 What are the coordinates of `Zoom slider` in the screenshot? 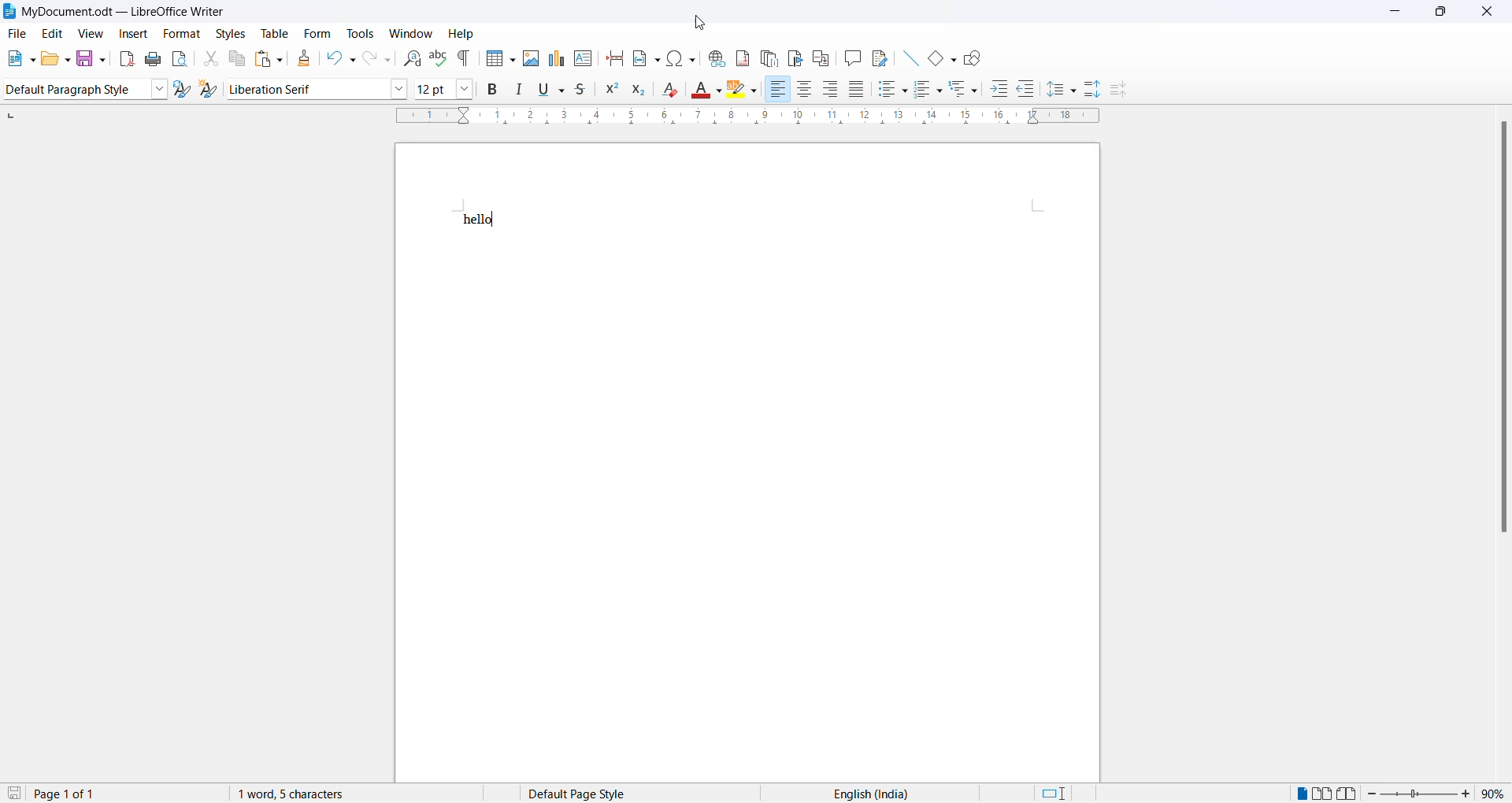 It's located at (1419, 794).